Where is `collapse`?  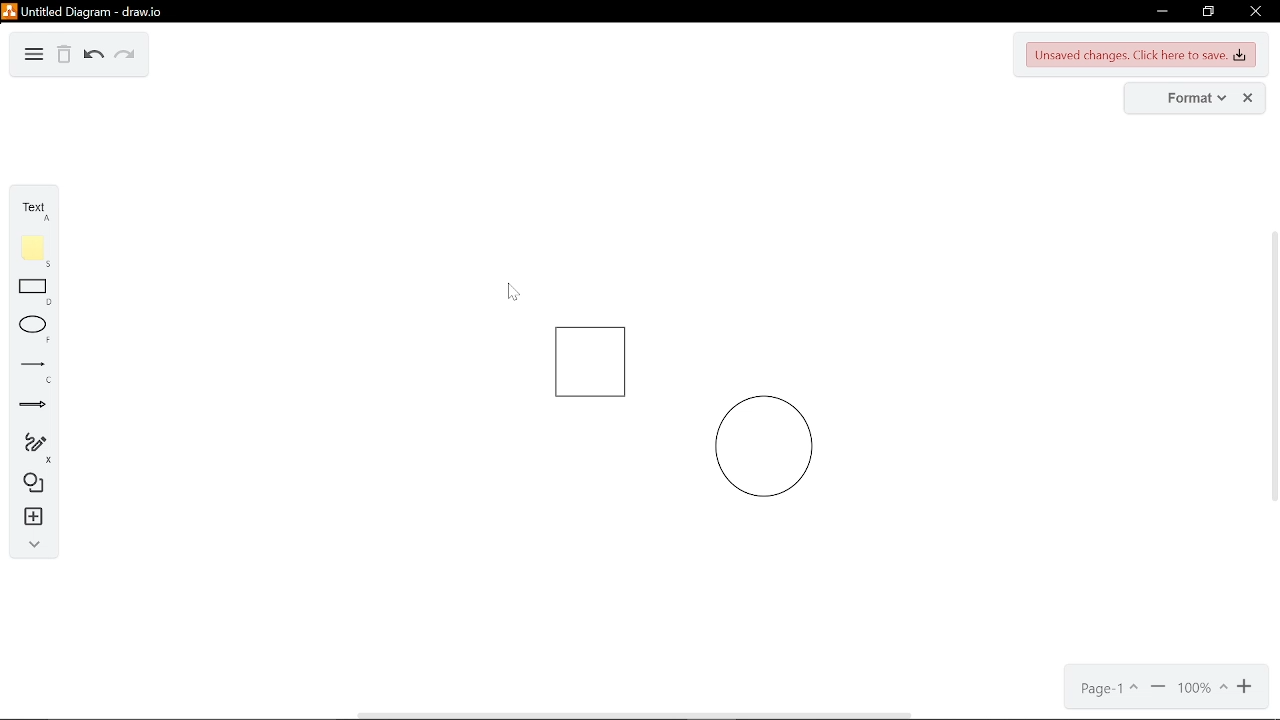
collapse is located at coordinates (31, 548).